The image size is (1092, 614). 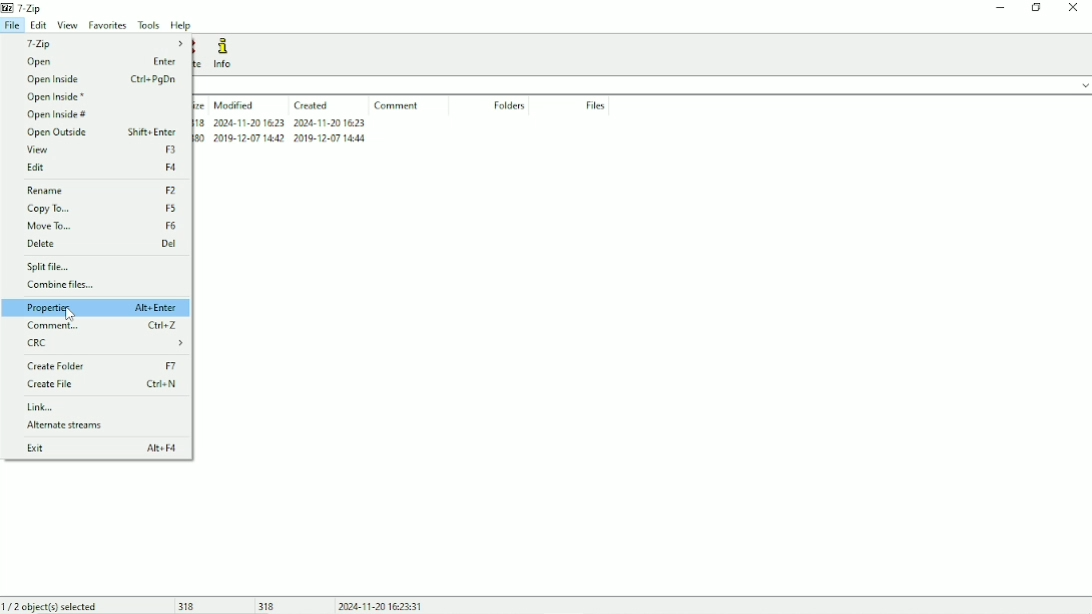 I want to click on Open, so click(x=100, y=61).